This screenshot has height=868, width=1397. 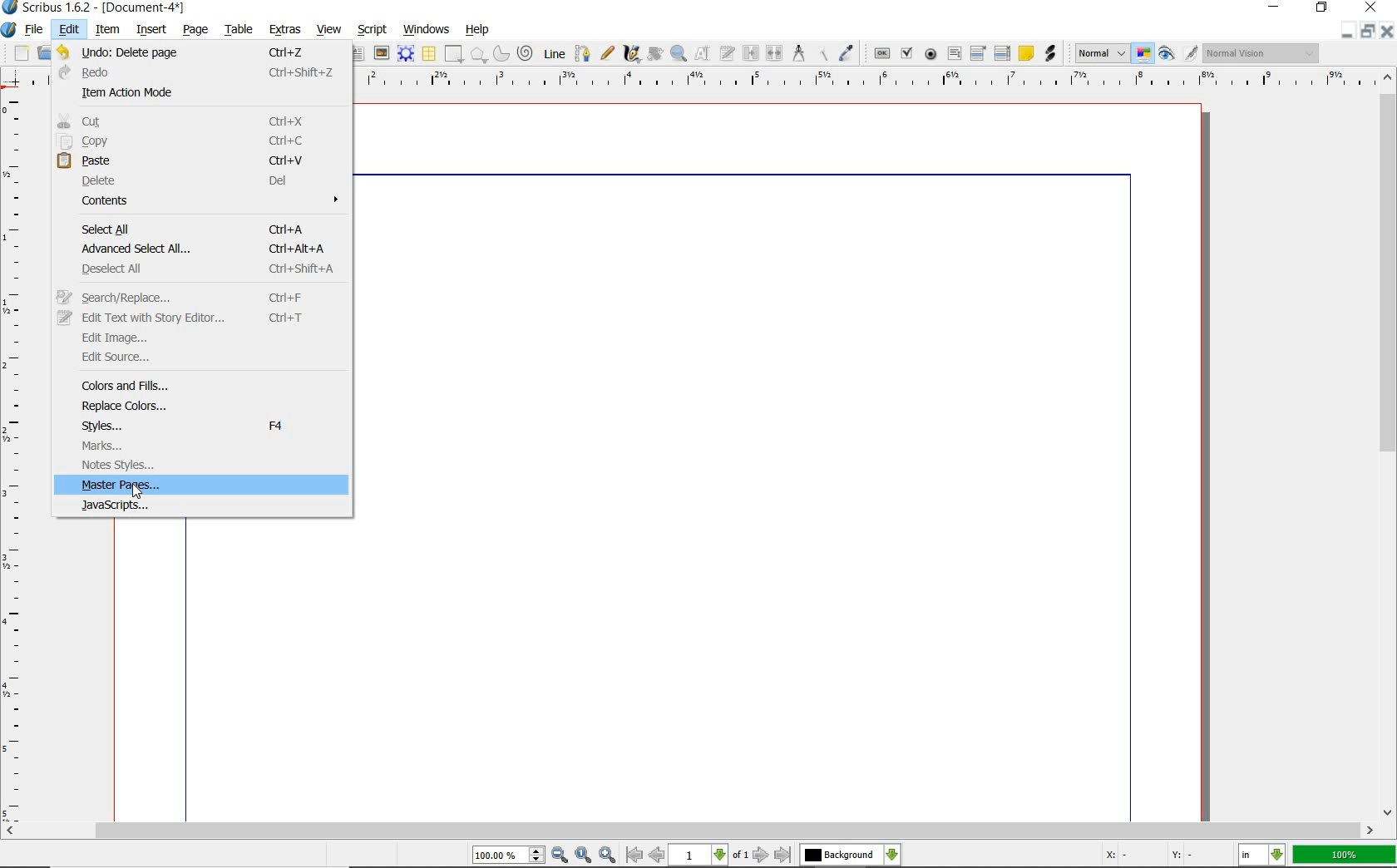 I want to click on select all, so click(x=205, y=229).